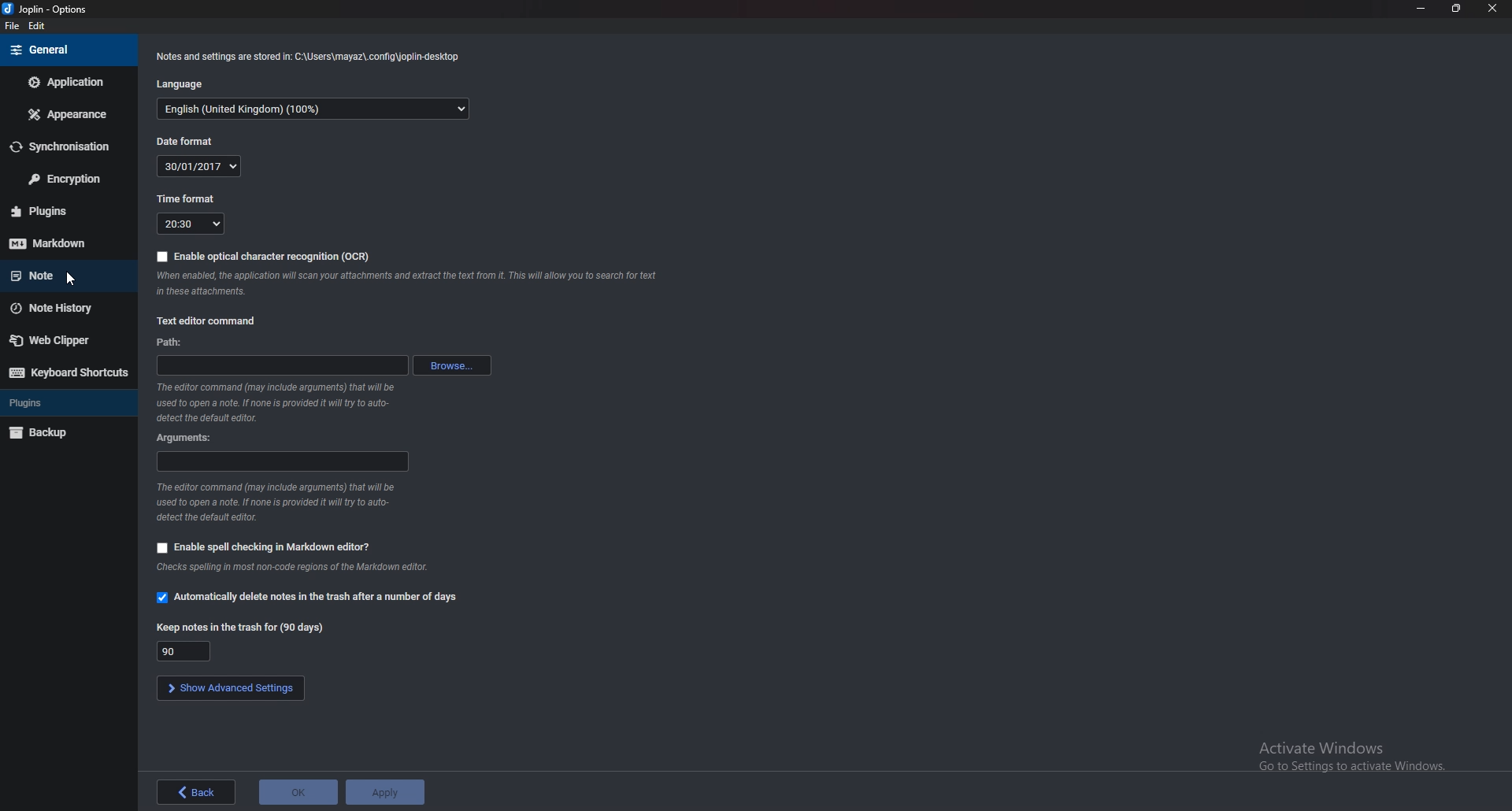 This screenshot has width=1512, height=811. I want to click on Minimize, so click(1422, 8).